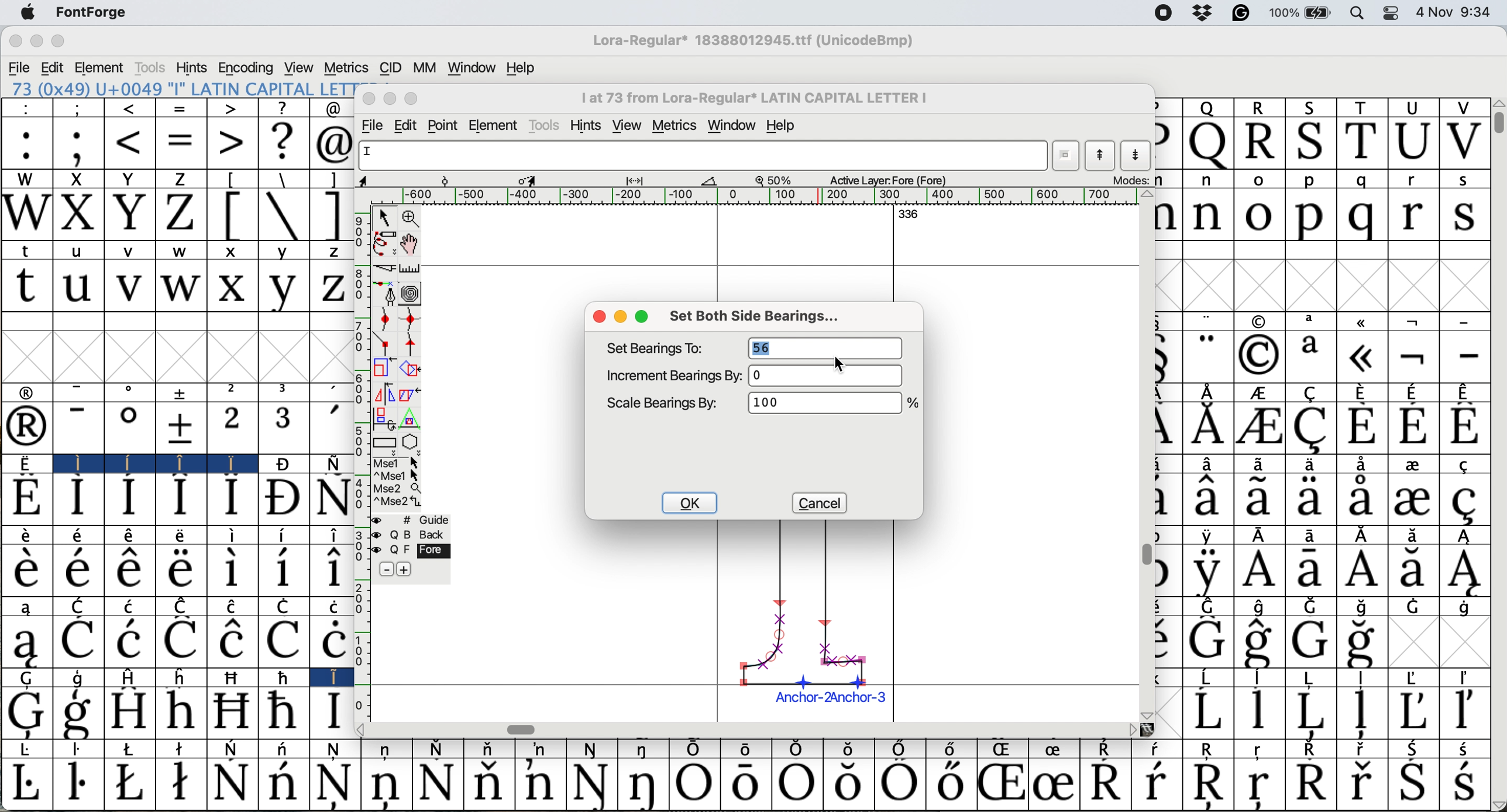 Image resolution: width=1507 pixels, height=812 pixels. Describe the element at coordinates (26, 180) in the screenshot. I see `W` at that location.